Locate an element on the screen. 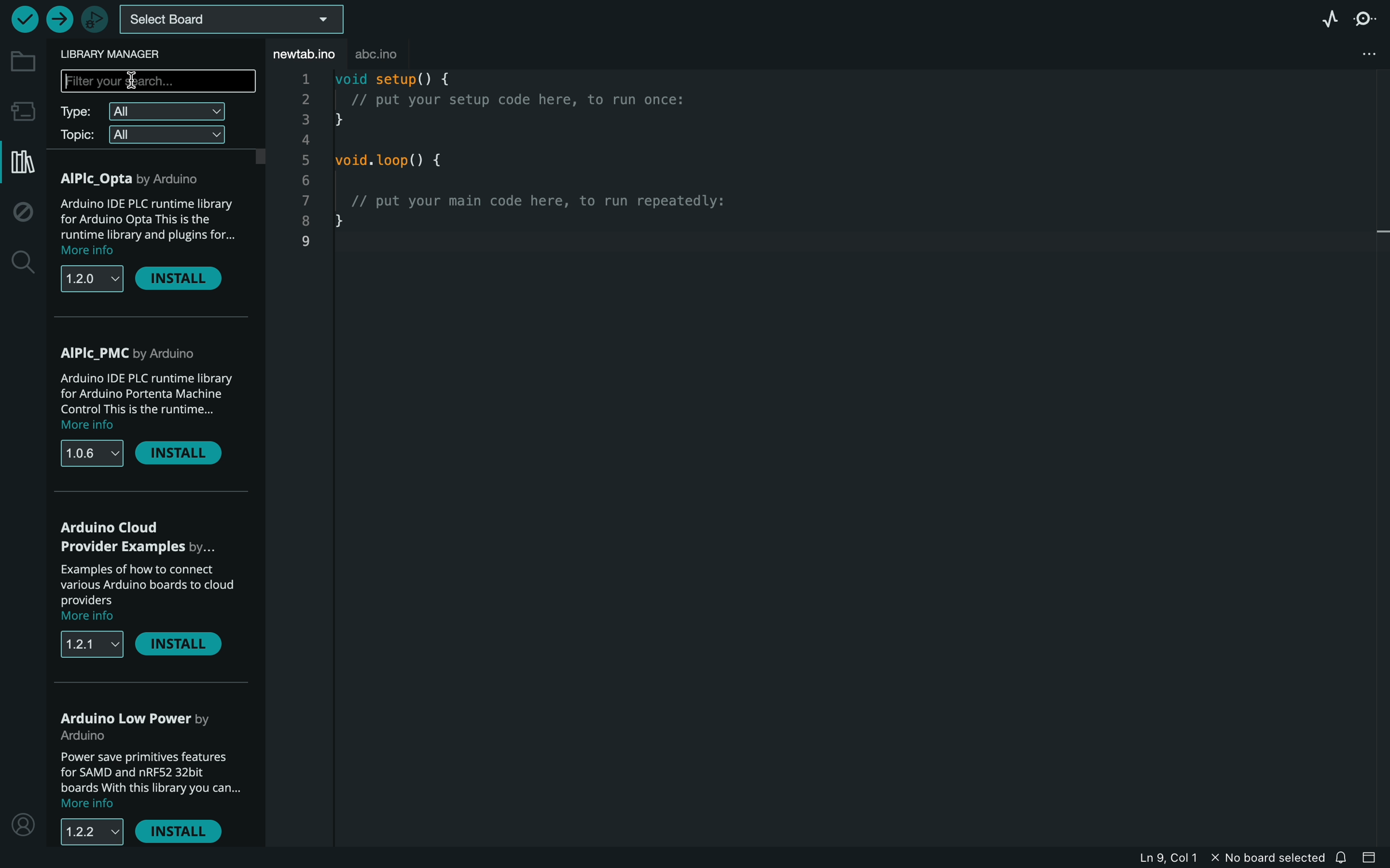 This screenshot has height=868, width=1390. search is located at coordinates (22, 266).